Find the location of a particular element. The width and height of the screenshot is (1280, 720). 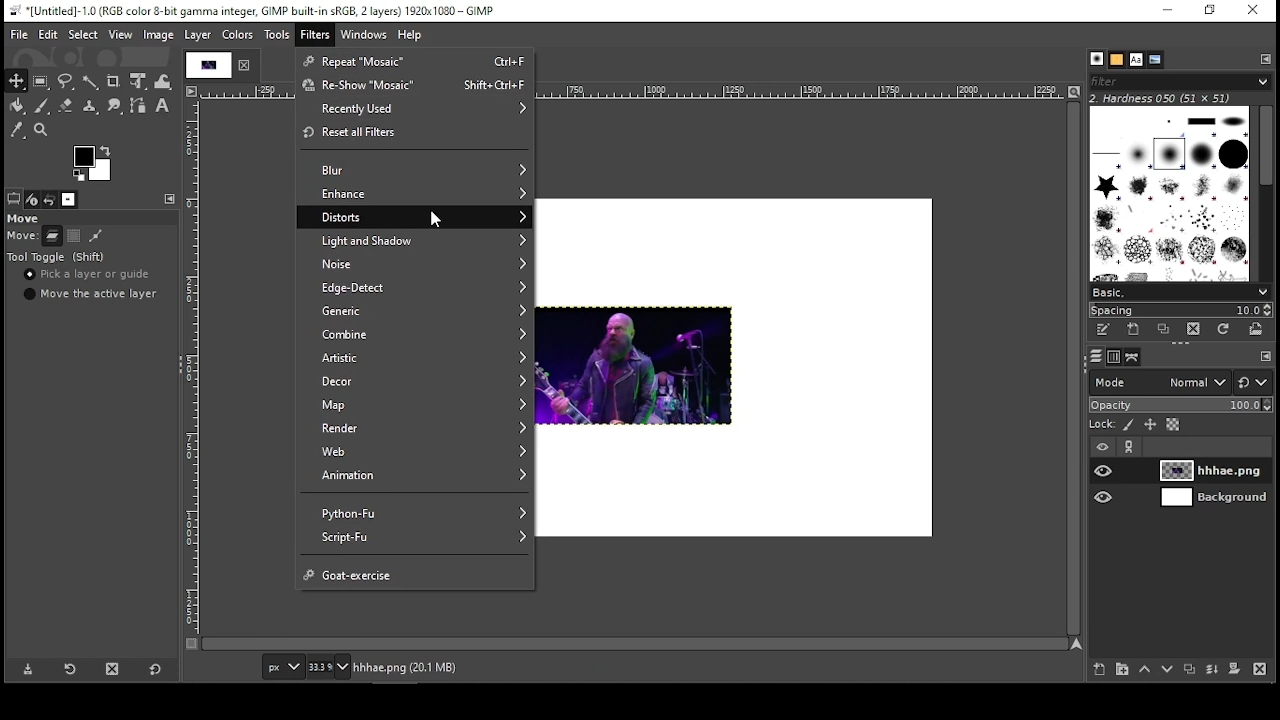

brushes is located at coordinates (1171, 193).